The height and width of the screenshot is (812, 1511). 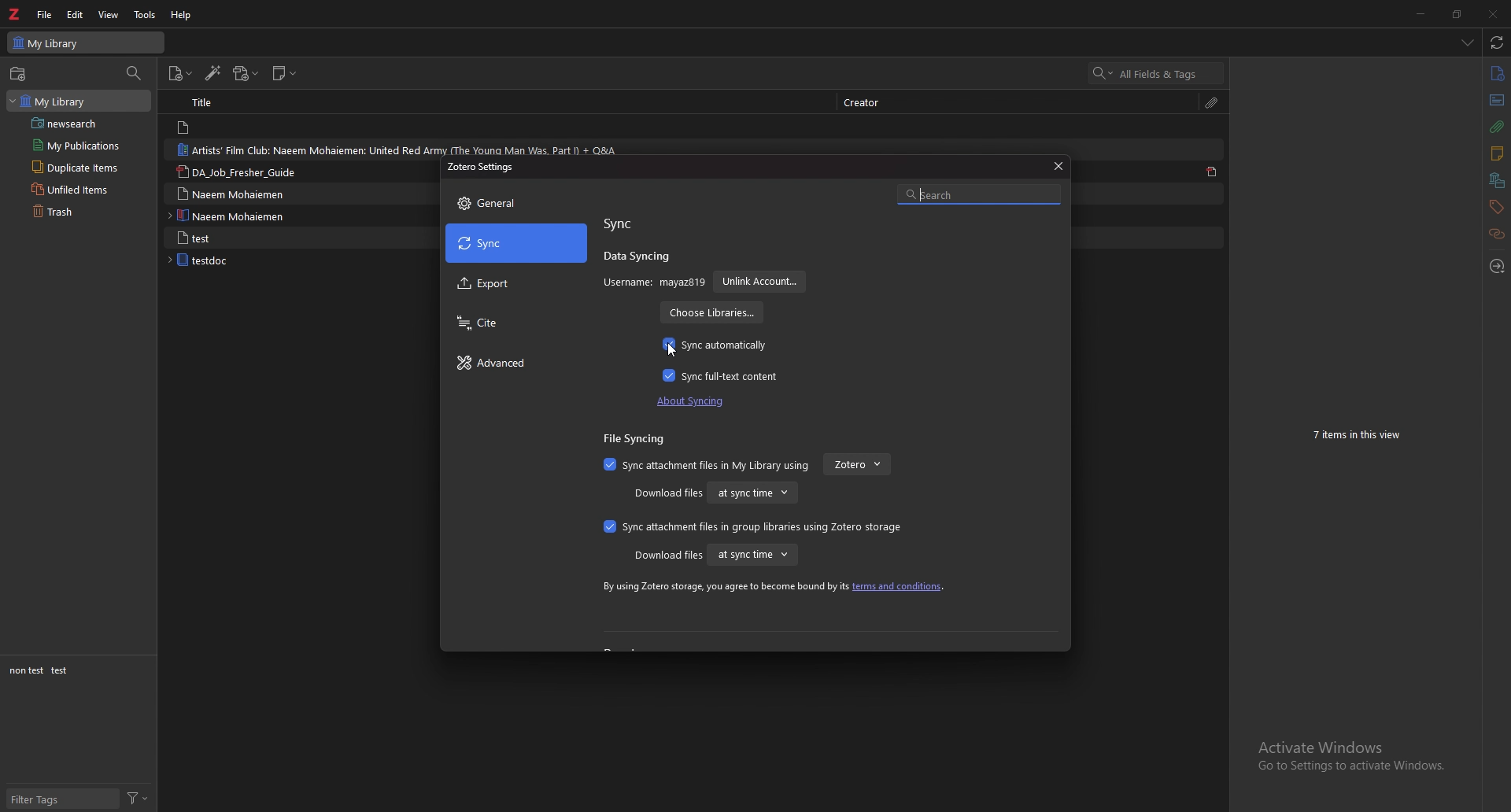 I want to click on attachment, so click(x=1496, y=127).